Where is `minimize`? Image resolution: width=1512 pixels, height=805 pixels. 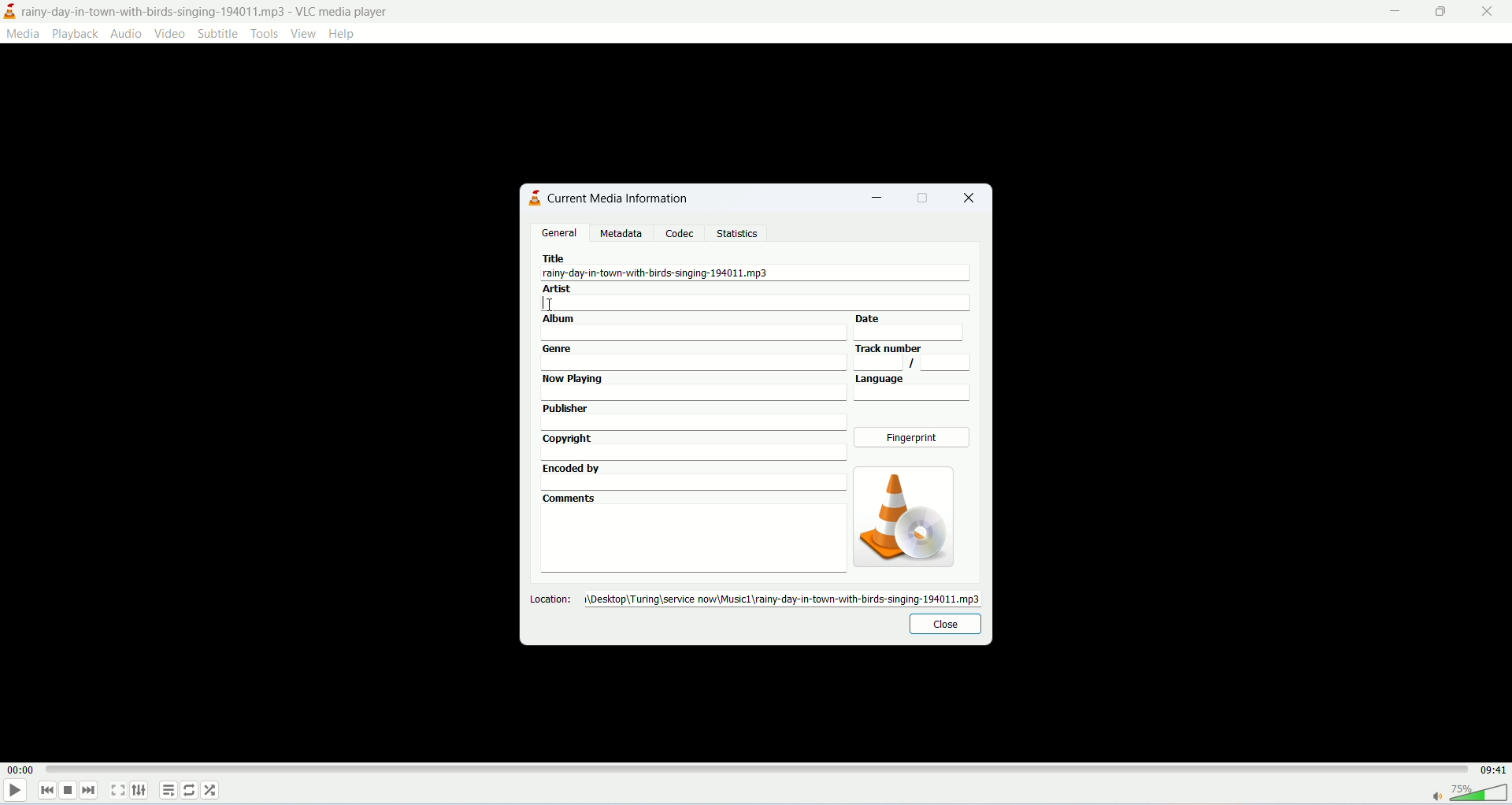
minimize is located at coordinates (876, 200).